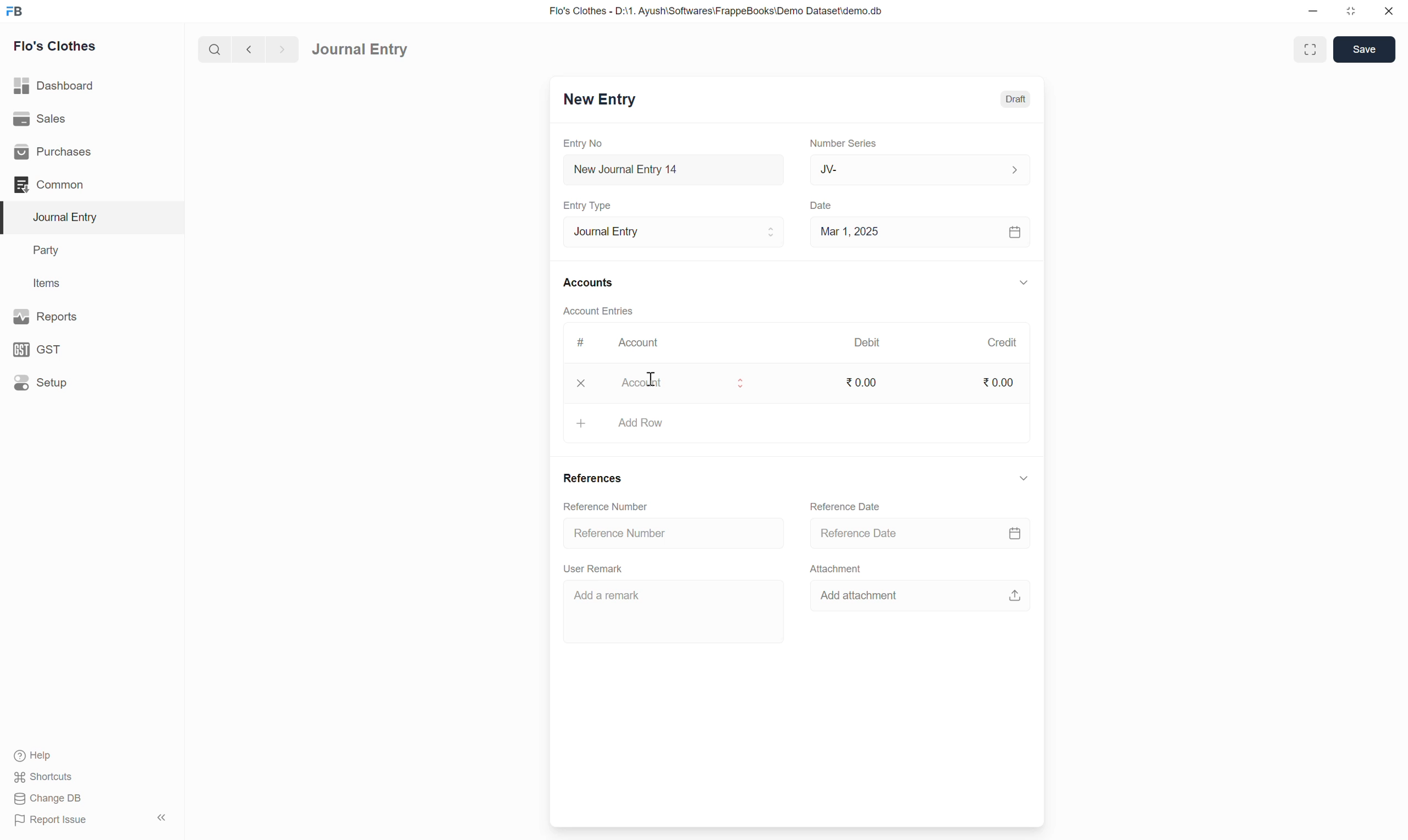 The width and height of the screenshot is (1408, 840). Describe the element at coordinates (674, 231) in the screenshot. I see `Journal Entry` at that location.